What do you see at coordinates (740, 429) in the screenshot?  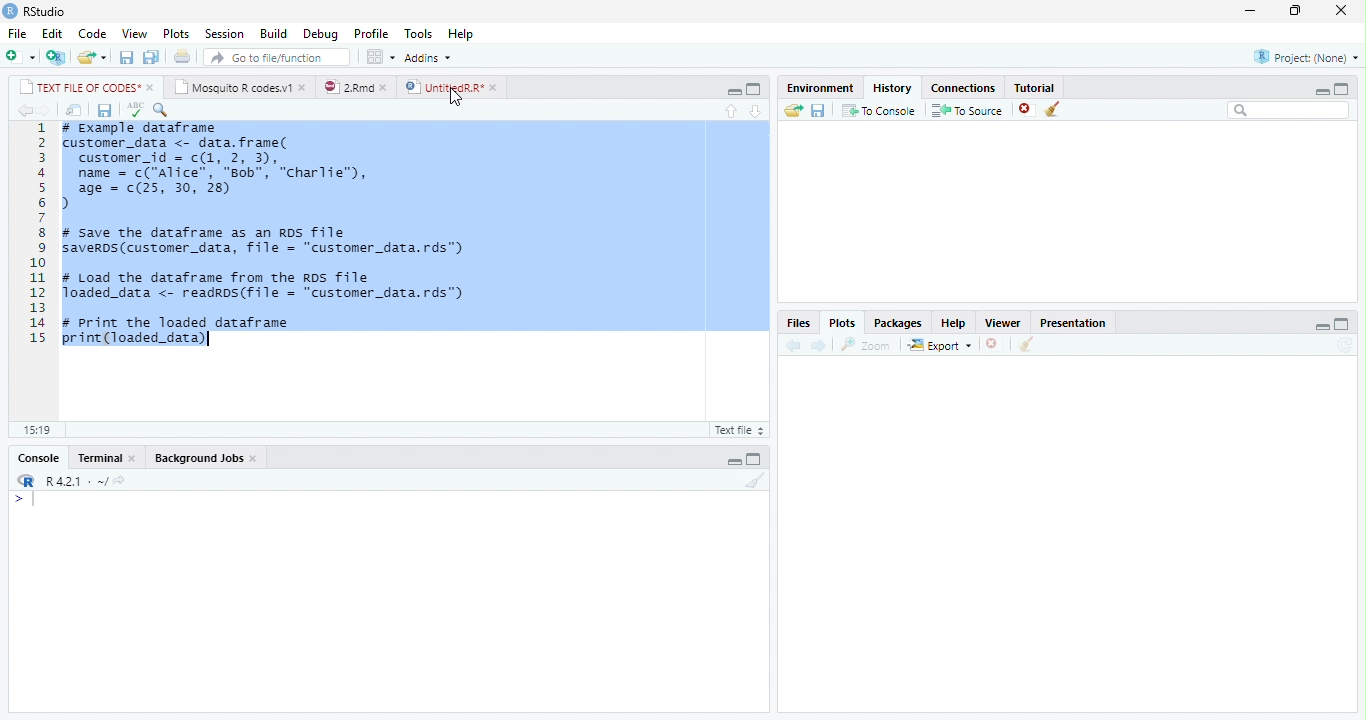 I see `R Script` at bounding box center [740, 429].